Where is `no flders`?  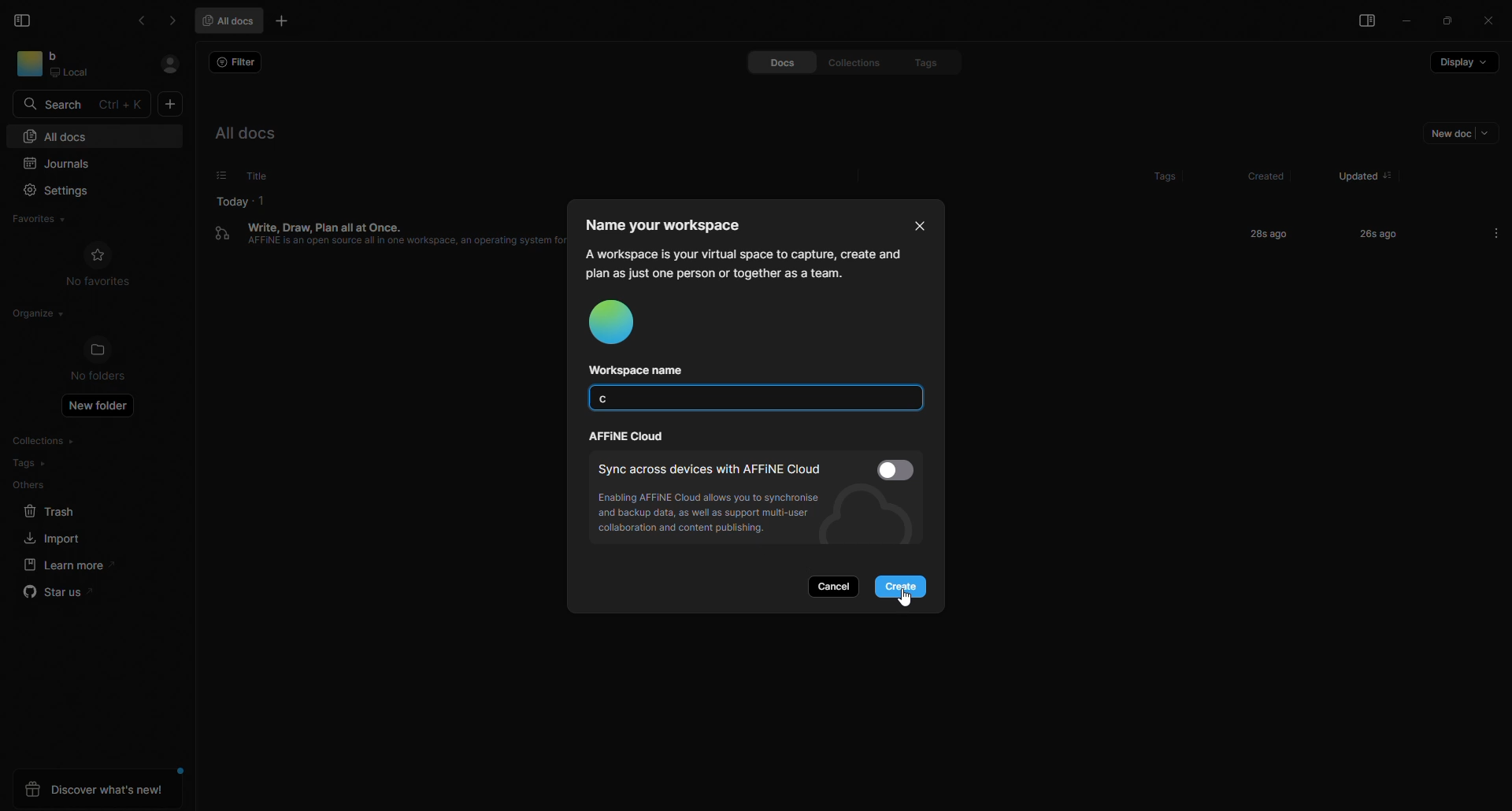 no flders is located at coordinates (107, 361).